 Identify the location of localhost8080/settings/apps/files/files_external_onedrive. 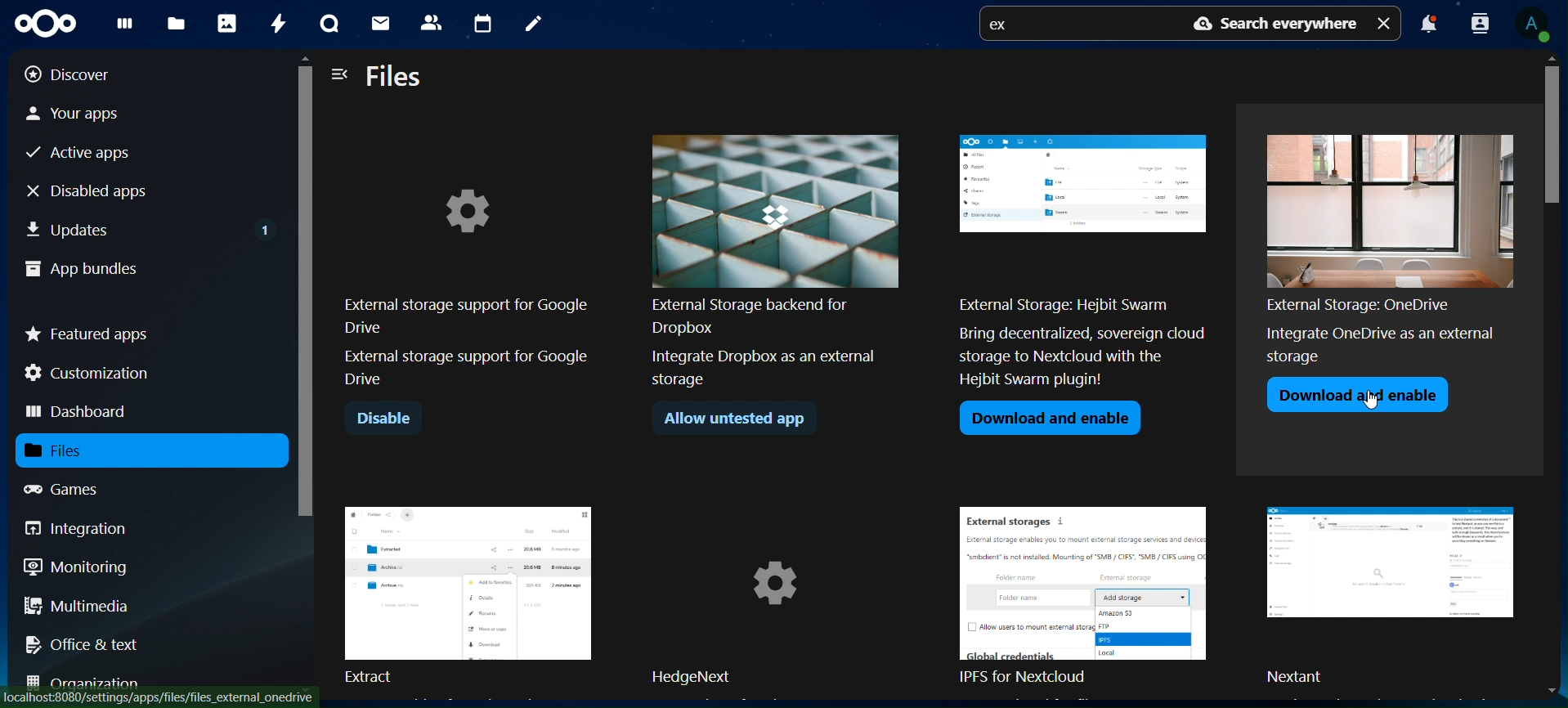
(165, 697).